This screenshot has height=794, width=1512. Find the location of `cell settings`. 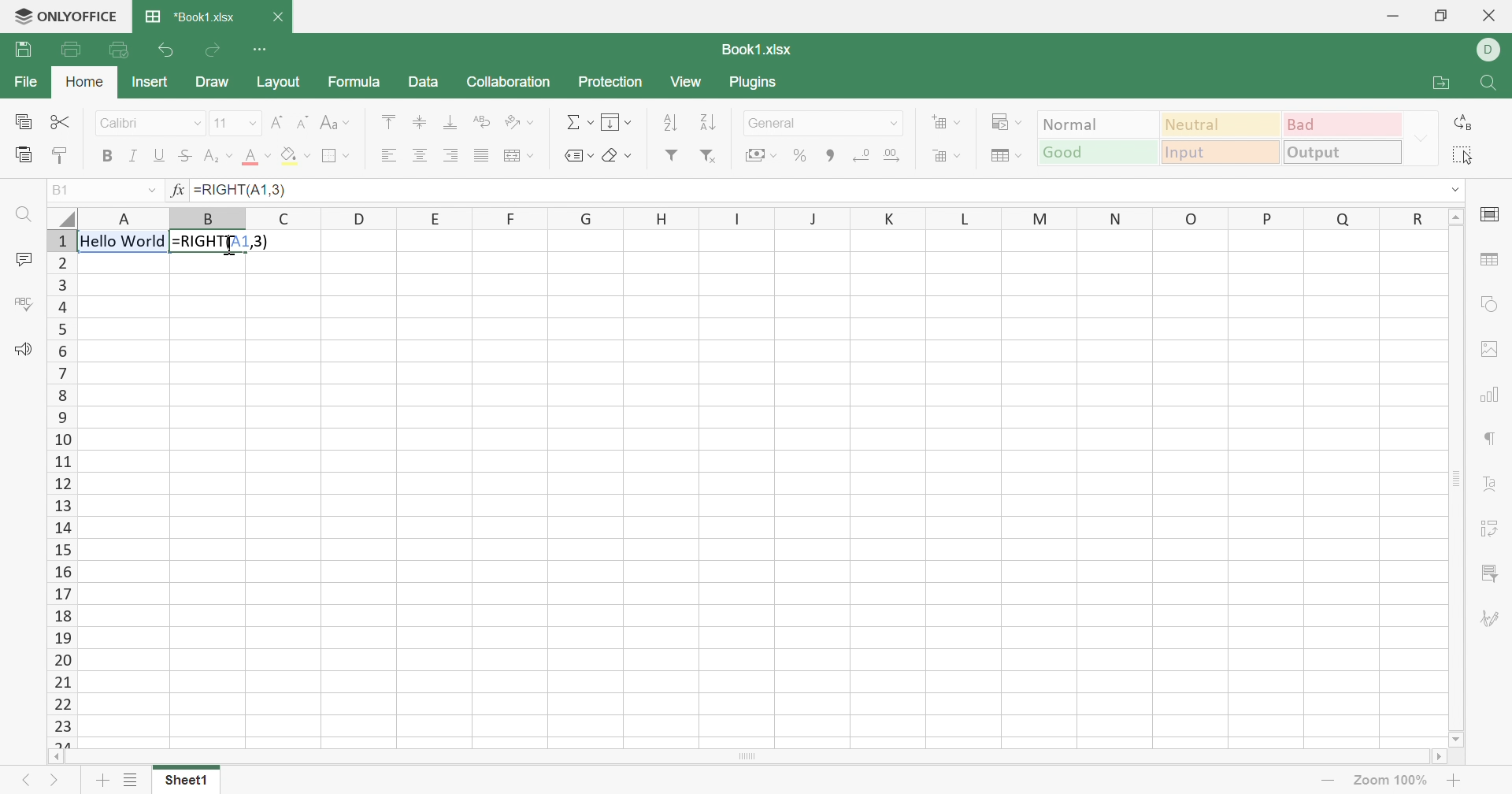

cell settings is located at coordinates (1486, 216).